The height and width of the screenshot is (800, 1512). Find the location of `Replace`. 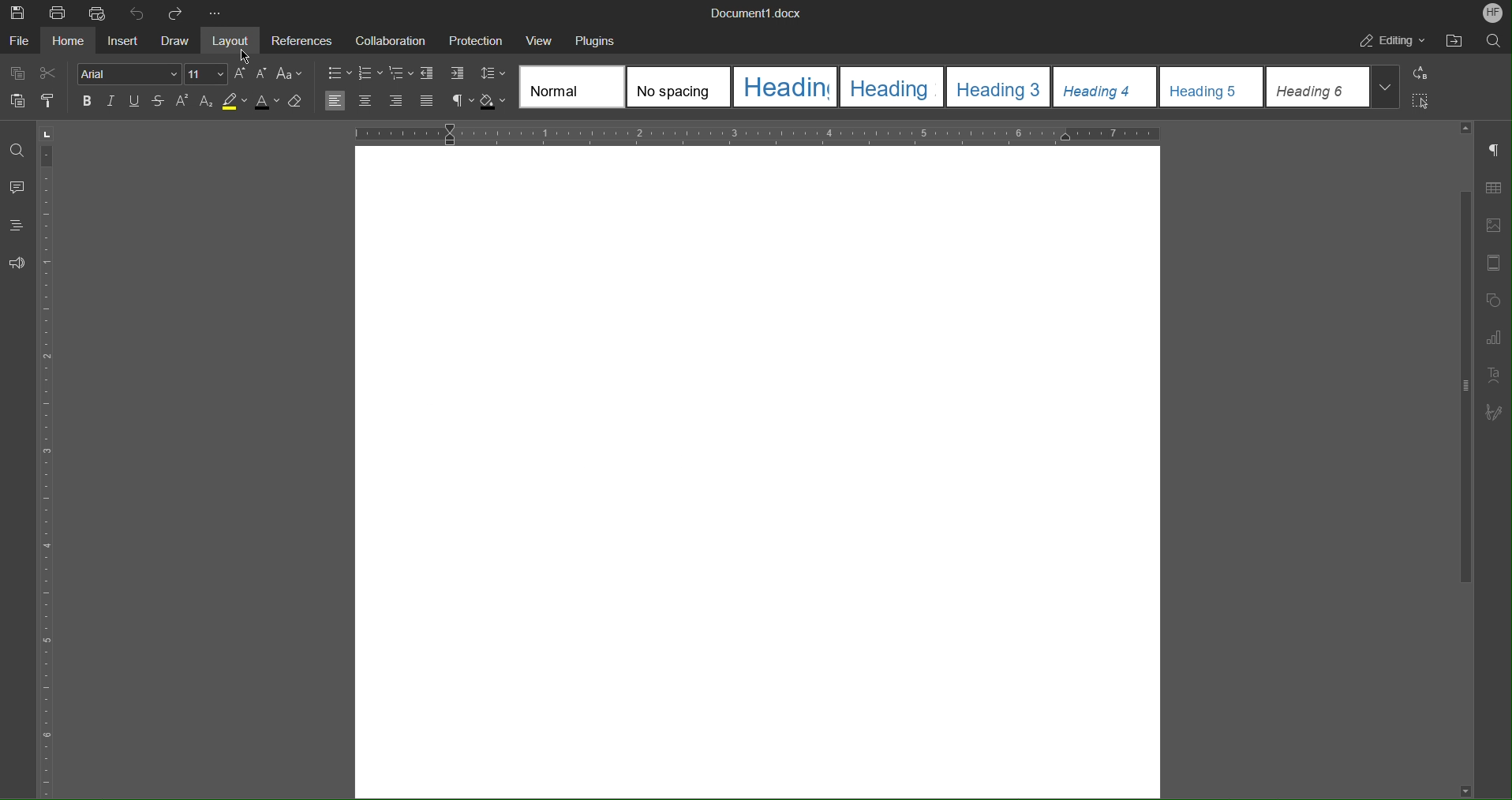

Replace is located at coordinates (1419, 73).